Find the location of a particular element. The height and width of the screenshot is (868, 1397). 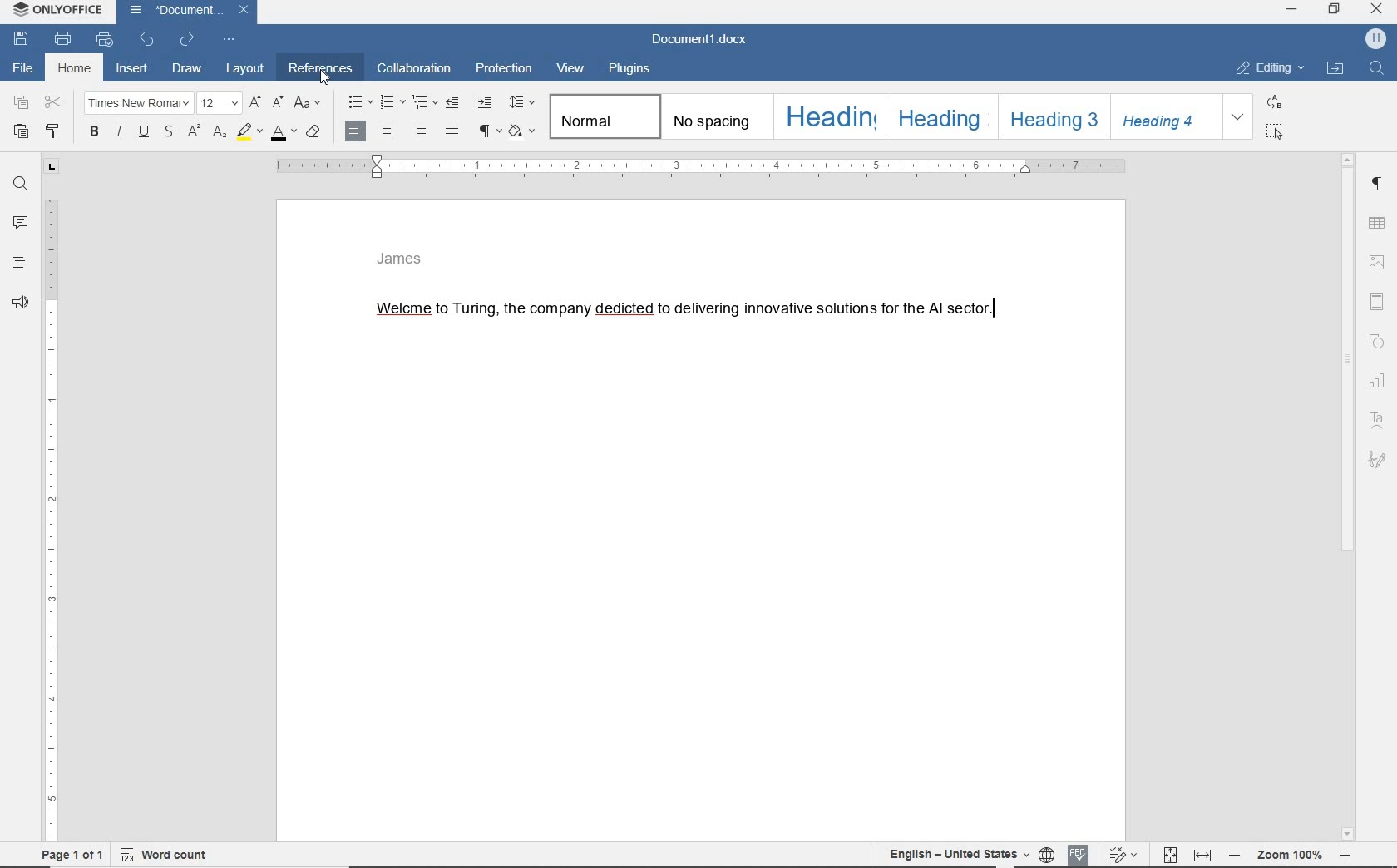

OPEN FILE LOCATION is located at coordinates (1335, 67).